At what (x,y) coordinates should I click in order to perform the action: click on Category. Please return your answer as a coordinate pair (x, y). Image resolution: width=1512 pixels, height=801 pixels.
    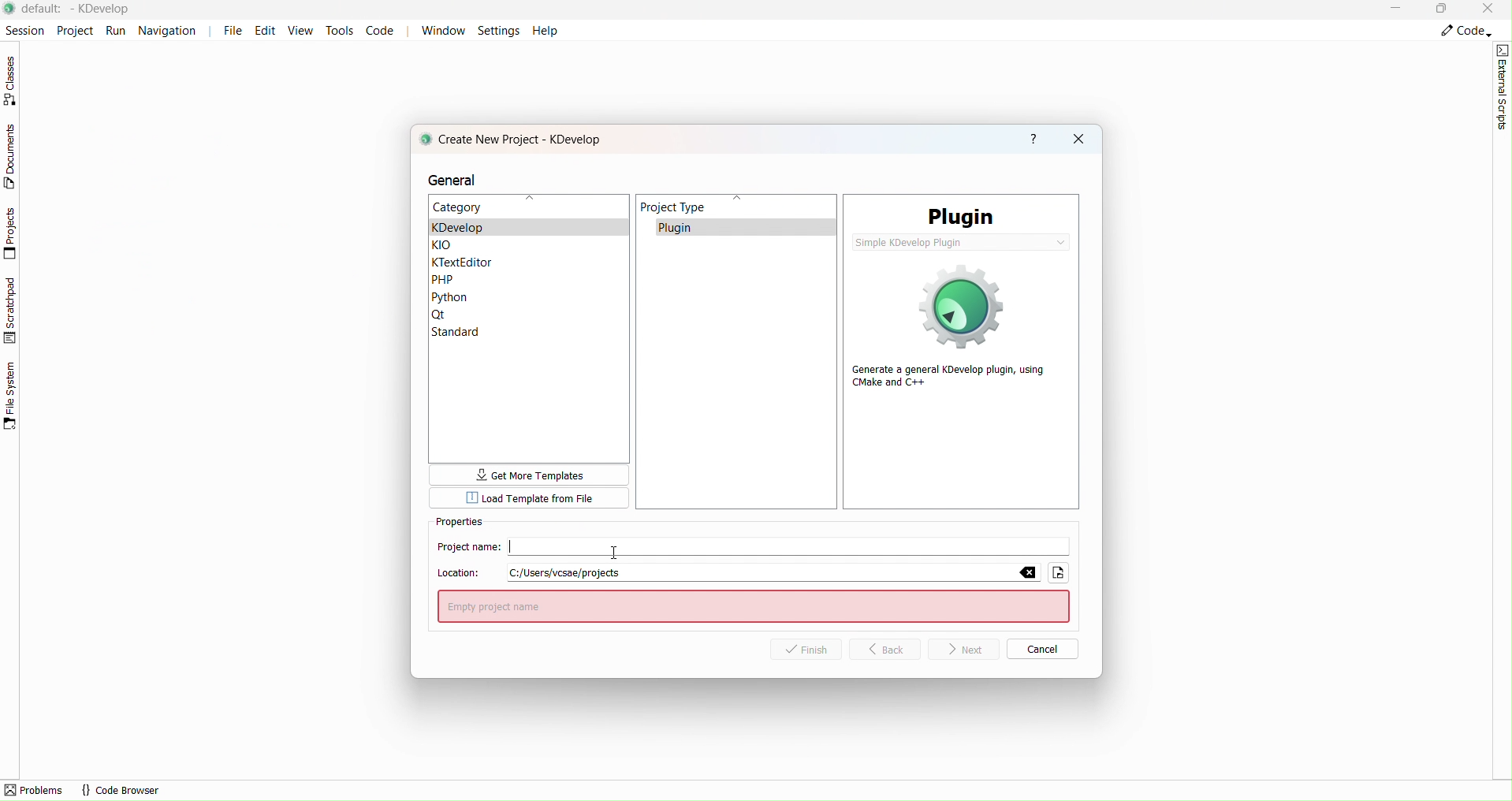
    Looking at the image, I should click on (459, 208).